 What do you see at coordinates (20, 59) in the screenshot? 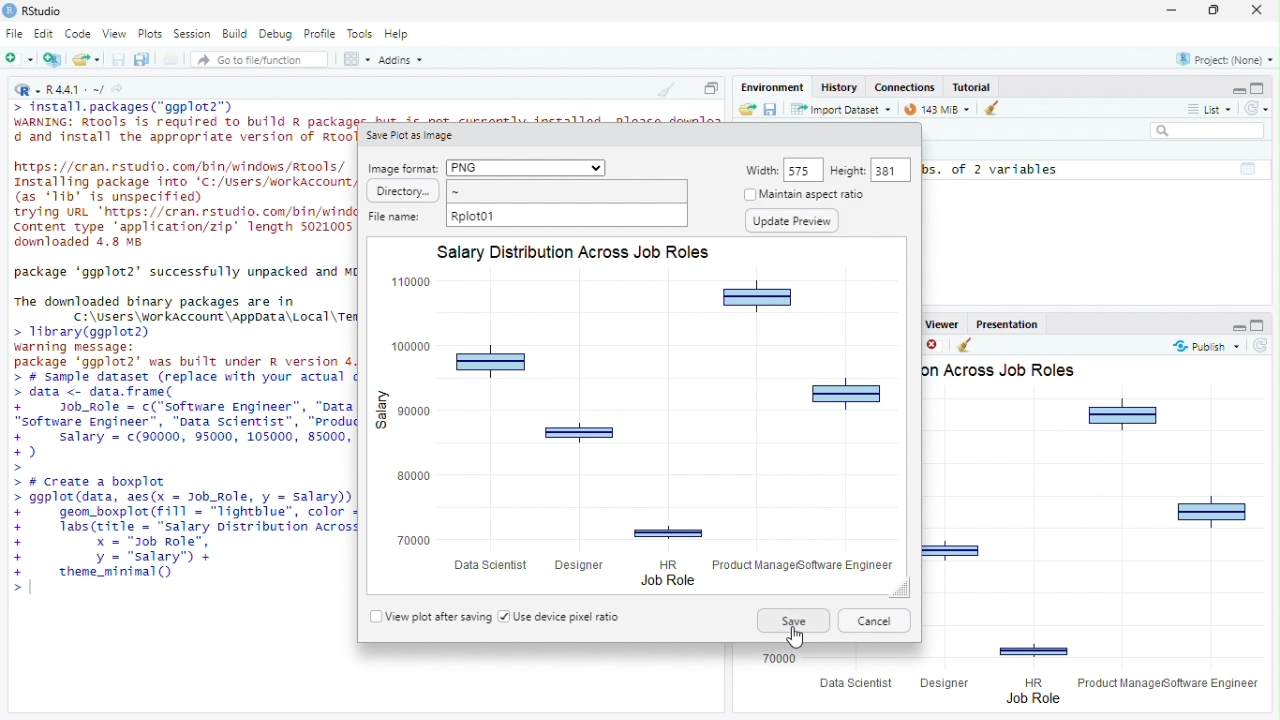
I see `New File` at bounding box center [20, 59].